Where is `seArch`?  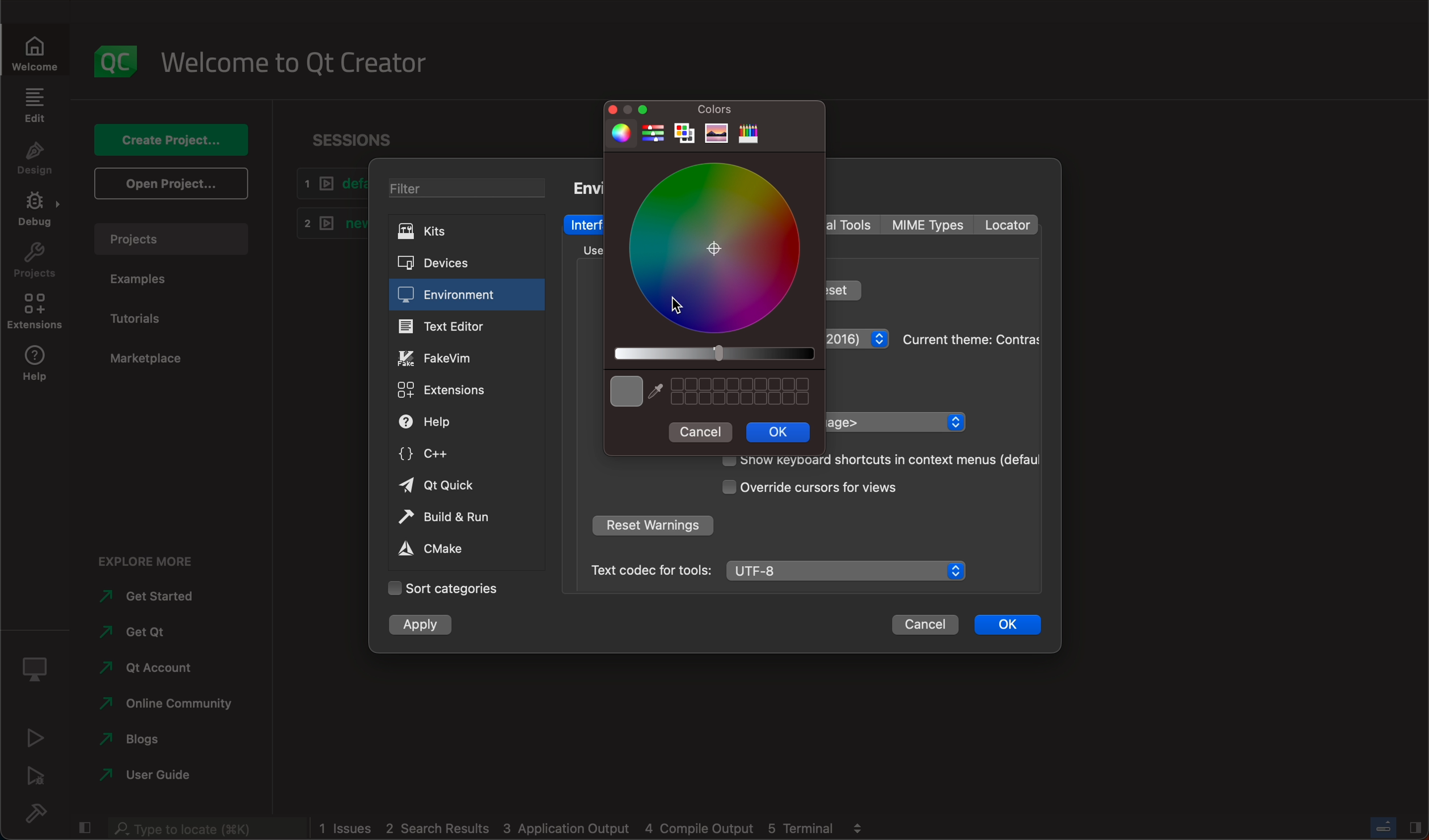
seArch is located at coordinates (204, 828).